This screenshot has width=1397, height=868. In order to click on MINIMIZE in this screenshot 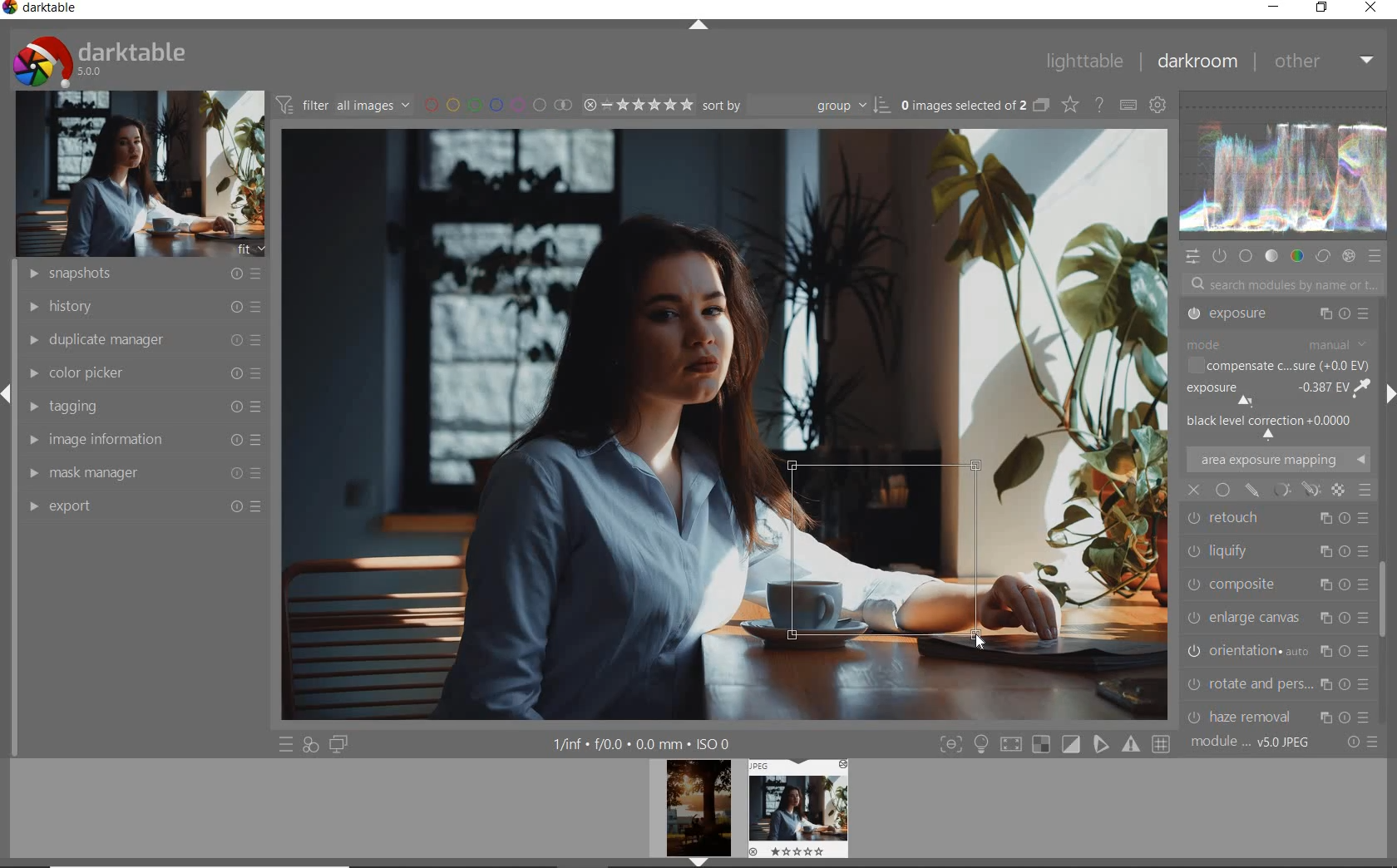, I will do `click(1271, 7)`.